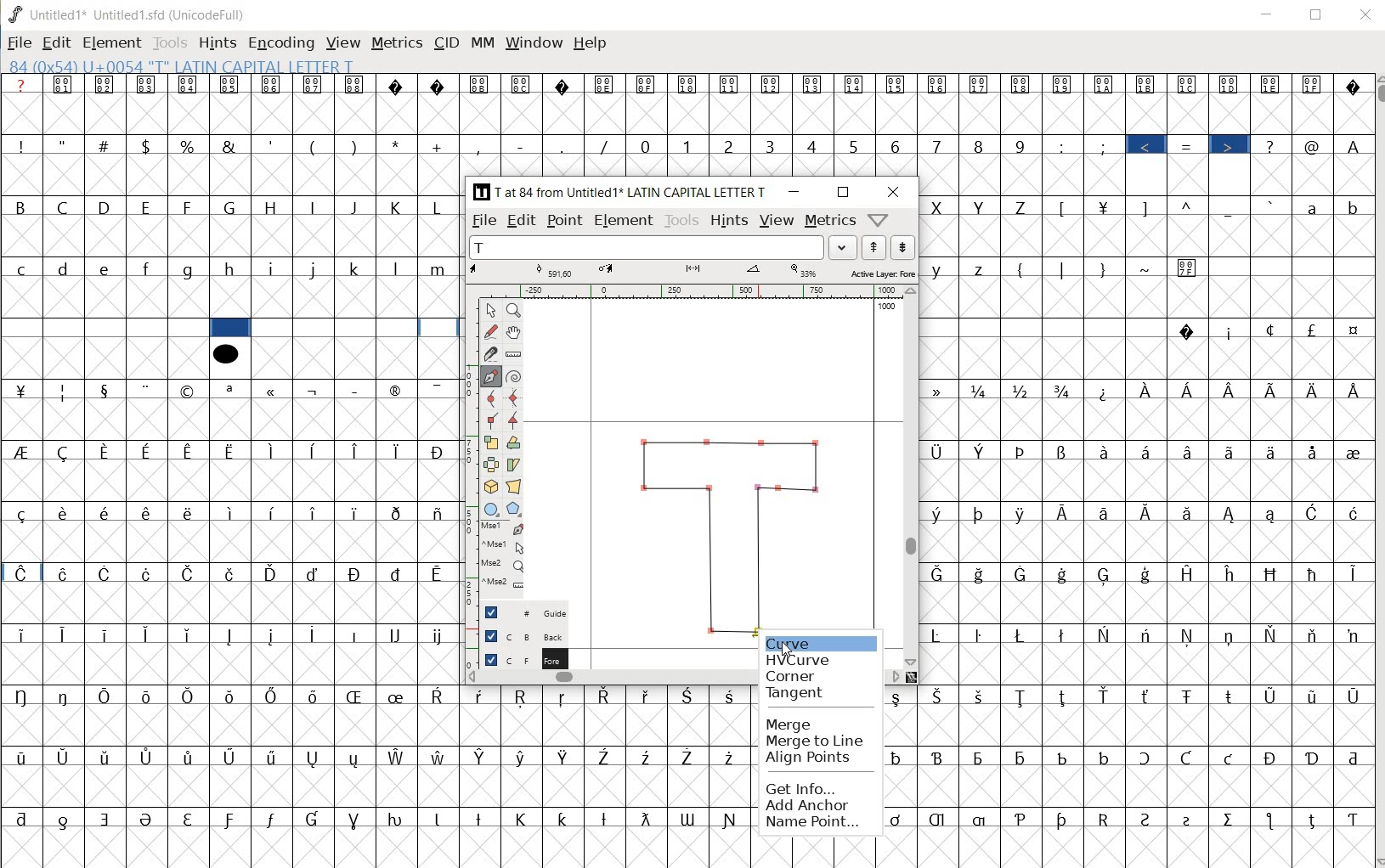  Describe the element at coordinates (274, 636) in the screenshot. I see `Symbol` at that location.